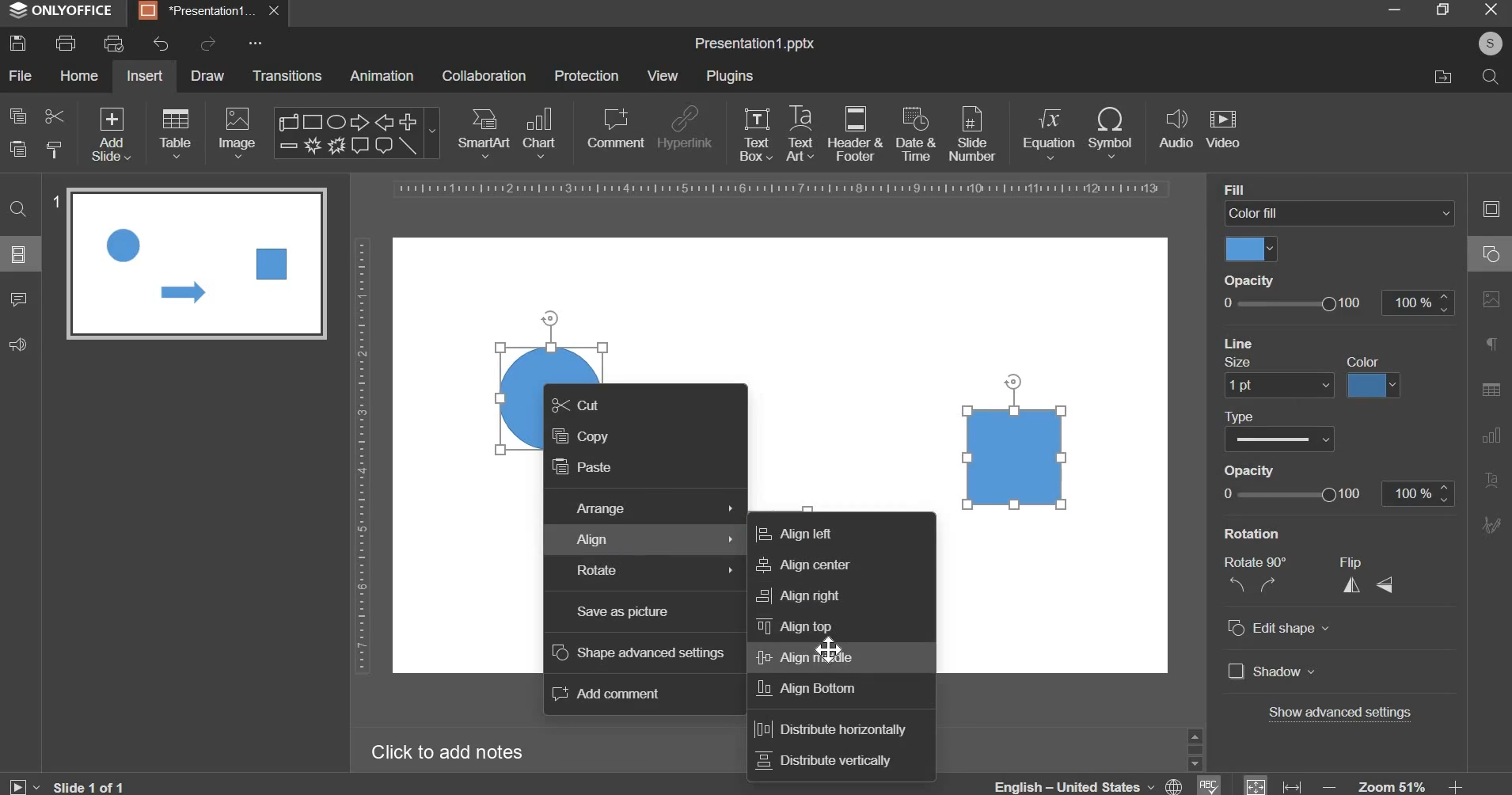 The image size is (1512, 795). What do you see at coordinates (824, 760) in the screenshot?
I see `distribute vertically` at bounding box center [824, 760].